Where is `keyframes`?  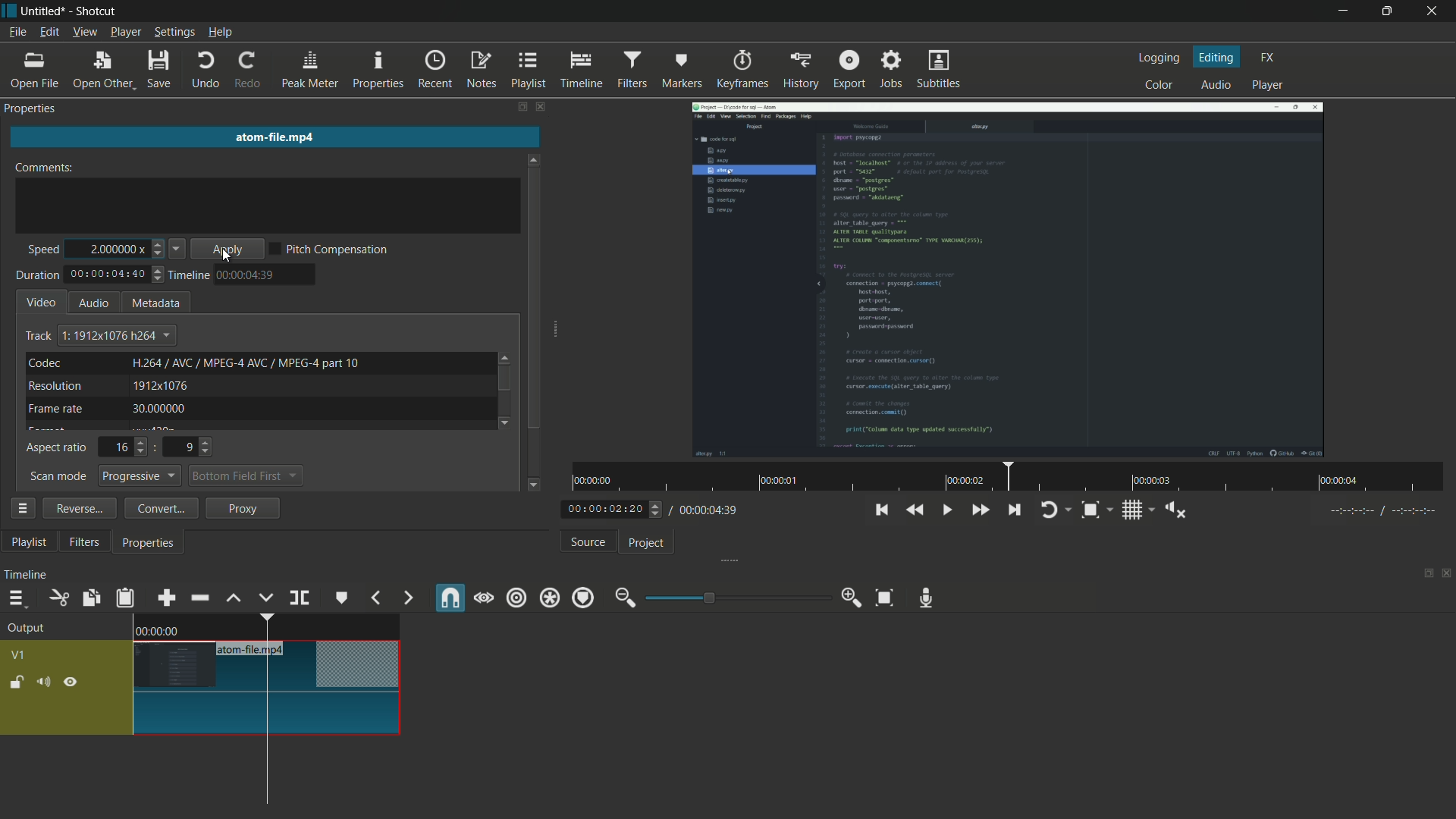
keyframes is located at coordinates (743, 68).